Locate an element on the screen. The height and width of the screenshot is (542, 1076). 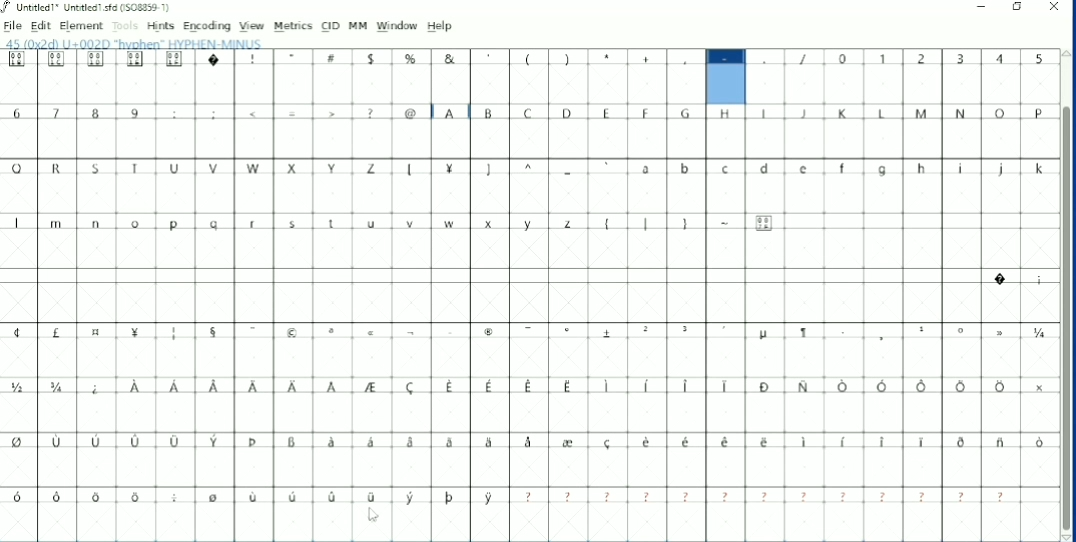
Encoding is located at coordinates (206, 26).